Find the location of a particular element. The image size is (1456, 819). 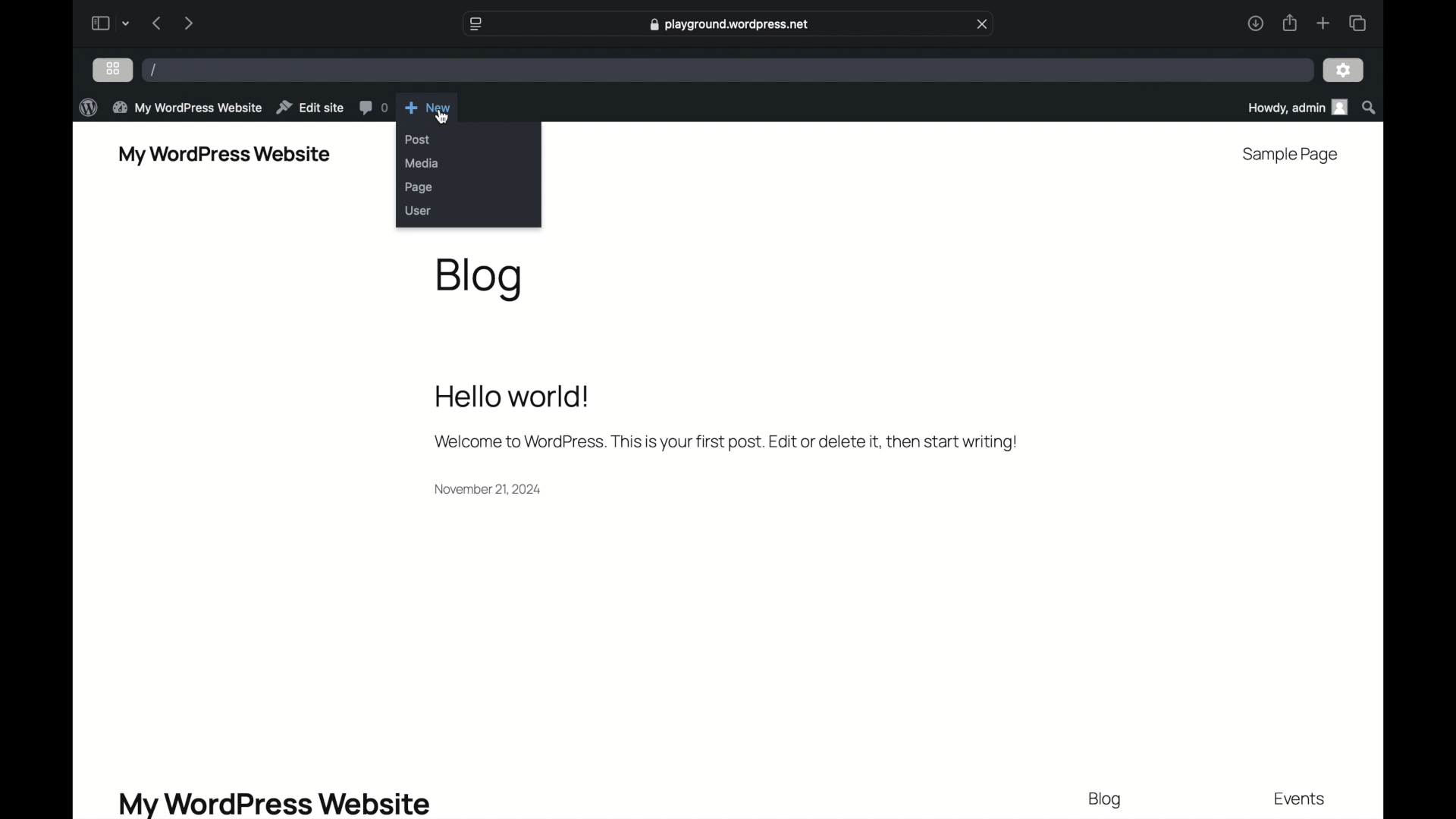

date is located at coordinates (488, 489).